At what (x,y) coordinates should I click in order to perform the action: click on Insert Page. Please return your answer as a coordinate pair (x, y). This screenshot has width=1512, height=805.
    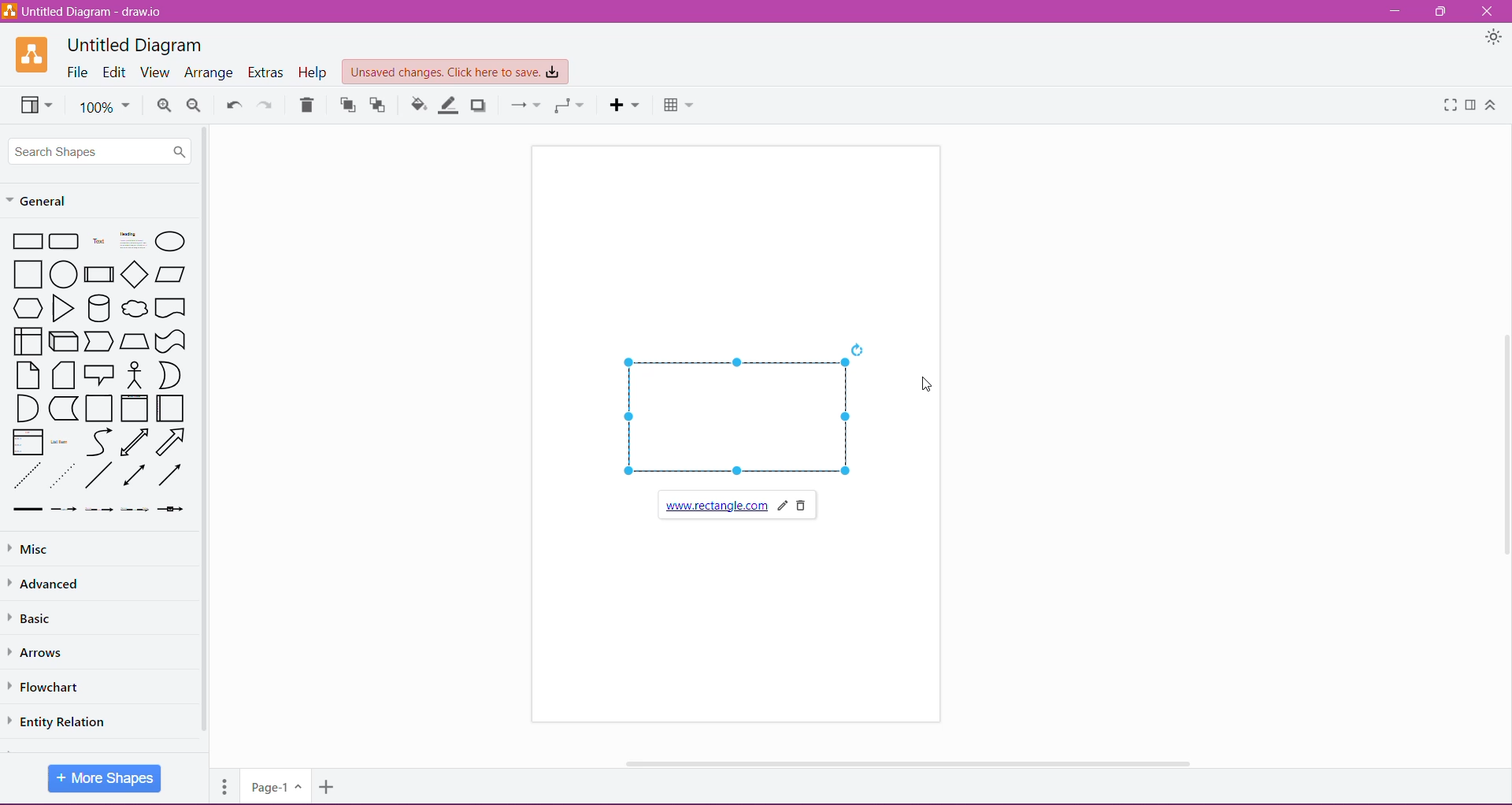
    Looking at the image, I should click on (329, 787).